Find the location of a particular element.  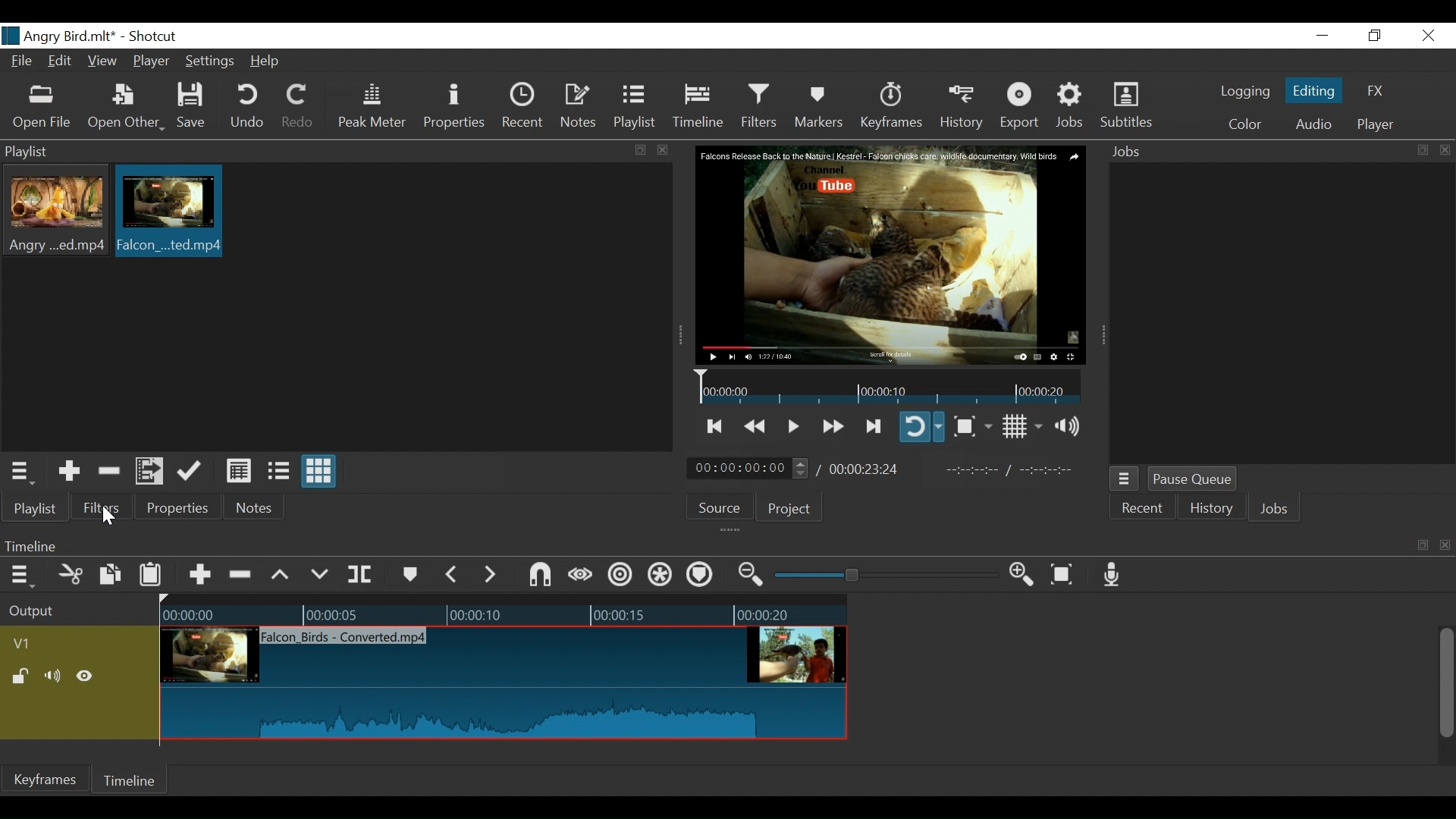

Project is located at coordinates (789, 508).